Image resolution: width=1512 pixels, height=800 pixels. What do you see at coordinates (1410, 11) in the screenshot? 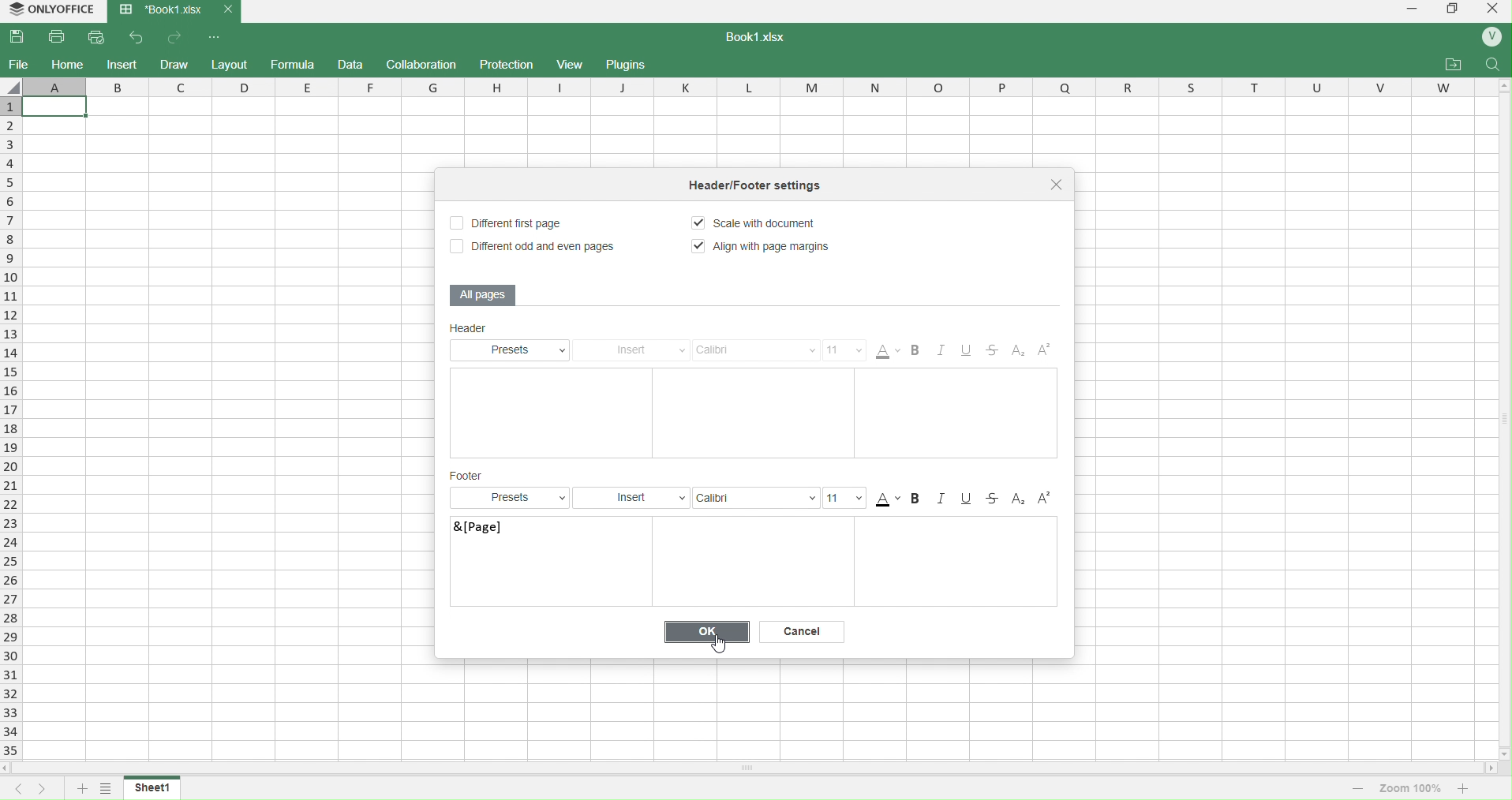
I see `minimize` at bounding box center [1410, 11].